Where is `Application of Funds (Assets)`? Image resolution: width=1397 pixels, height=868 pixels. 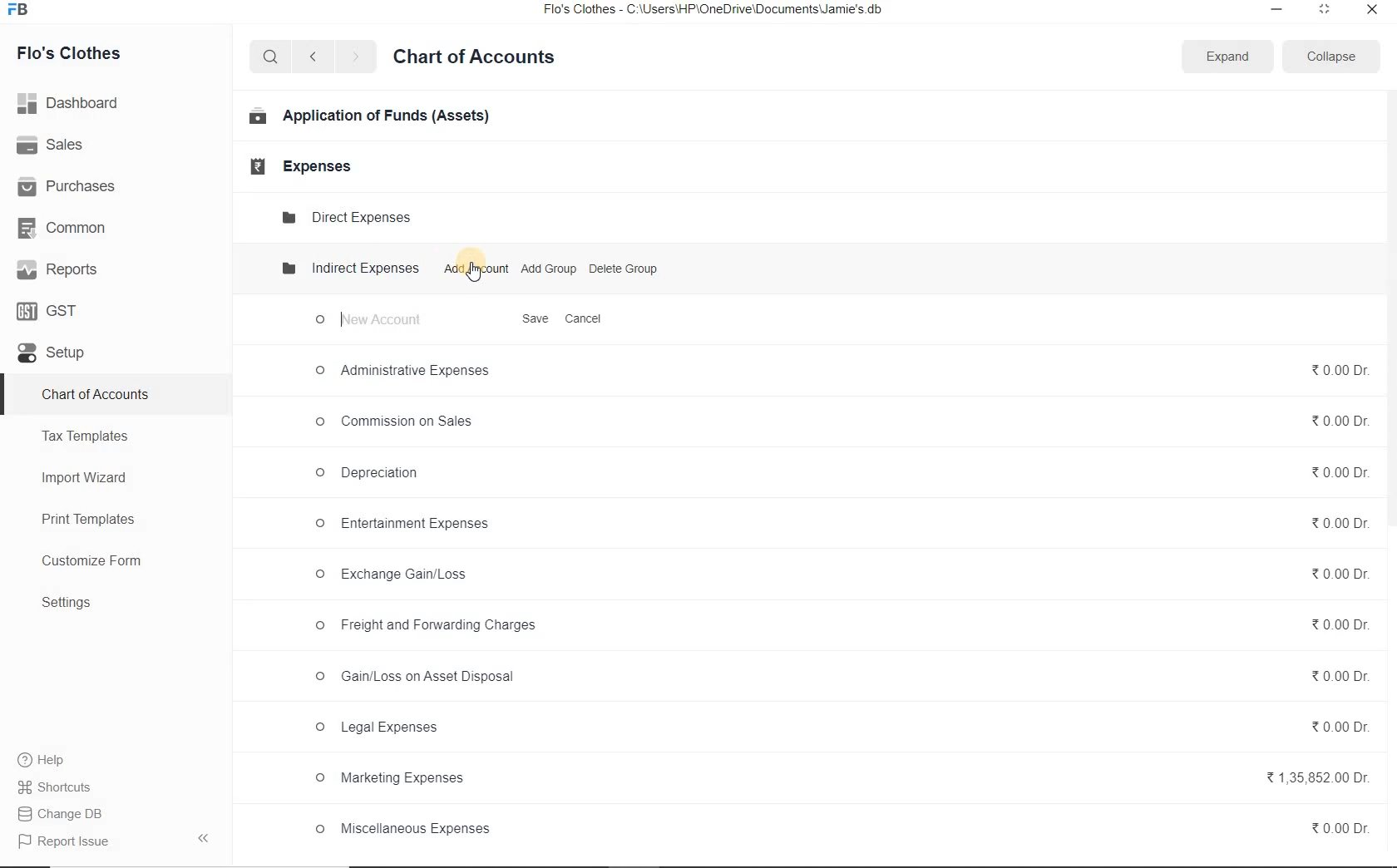
Application of Funds (Assets) is located at coordinates (370, 117).